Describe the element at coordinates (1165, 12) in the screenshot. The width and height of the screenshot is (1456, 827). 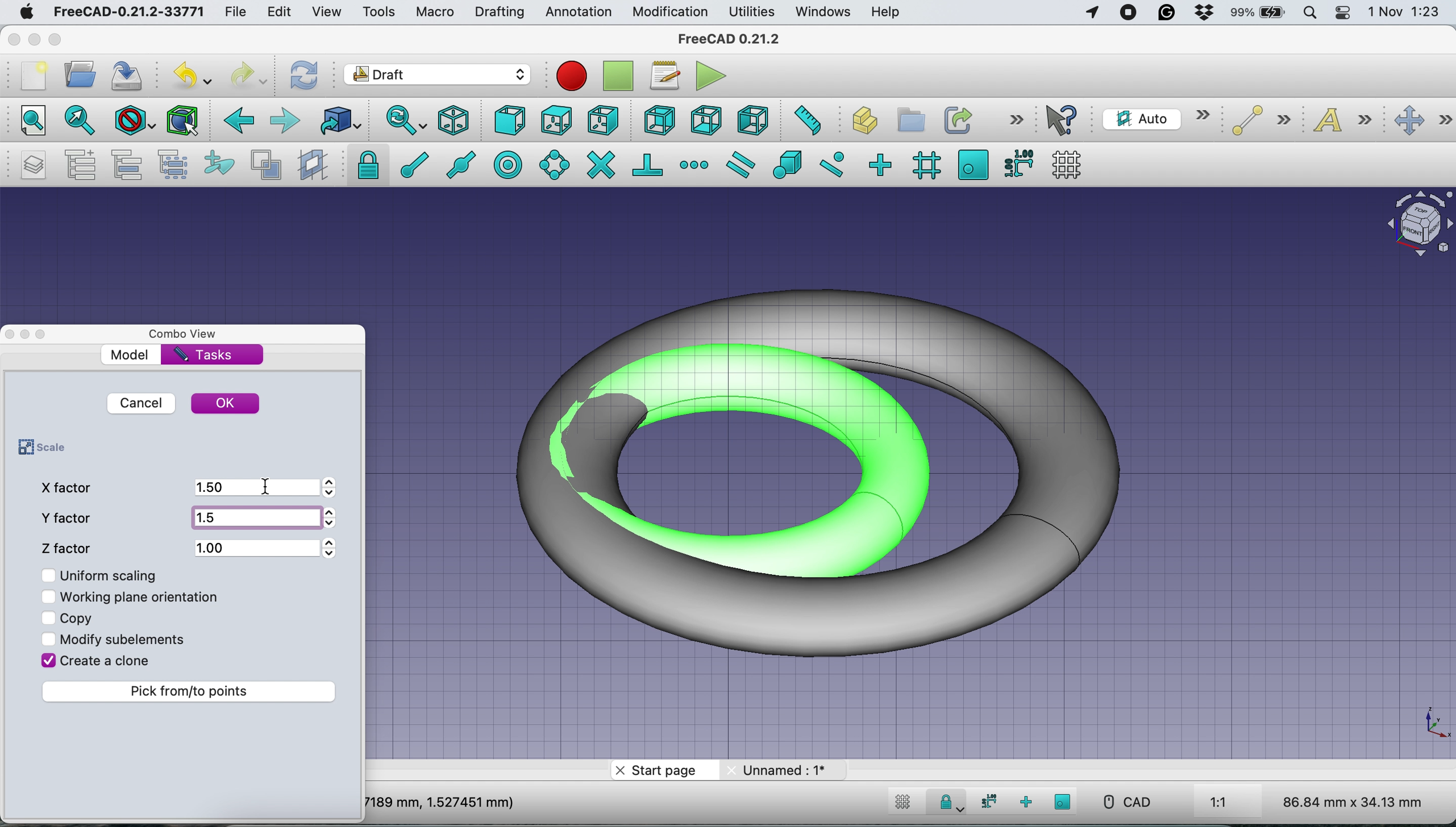
I see `grammarly` at that location.